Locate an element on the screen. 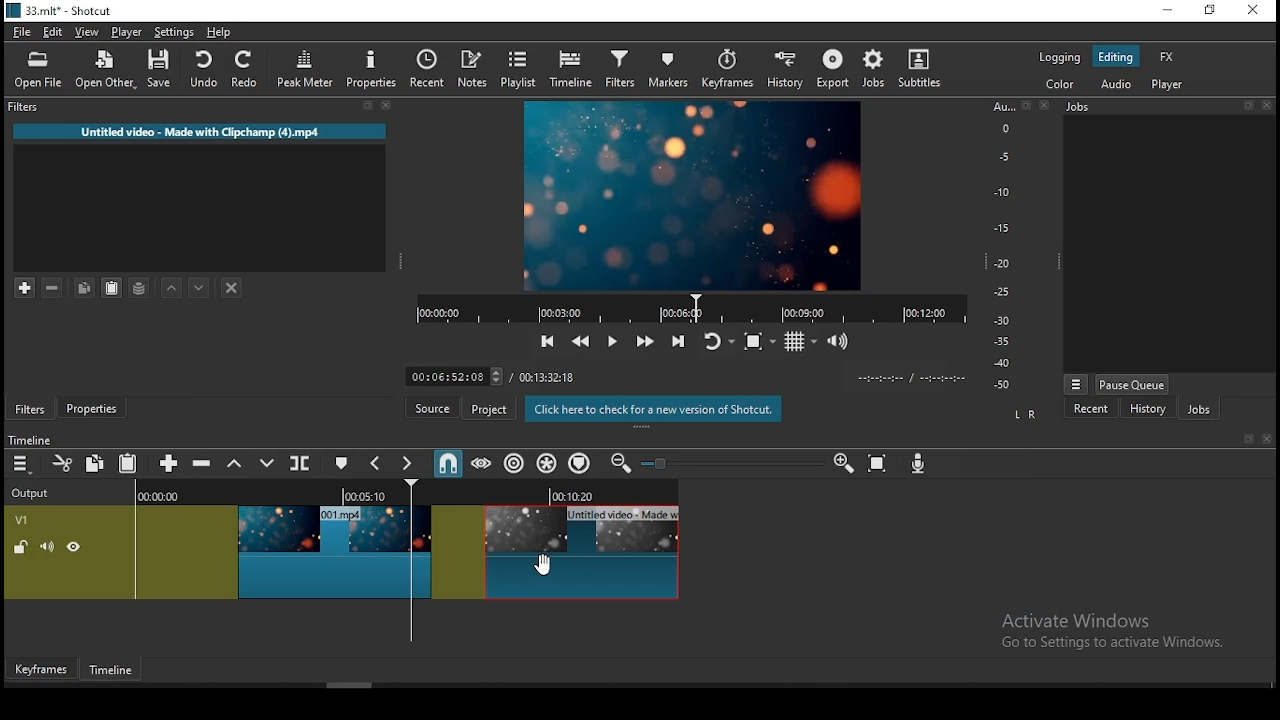 The width and height of the screenshot is (1280, 720). (un)mute is located at coordinates (45, 547).